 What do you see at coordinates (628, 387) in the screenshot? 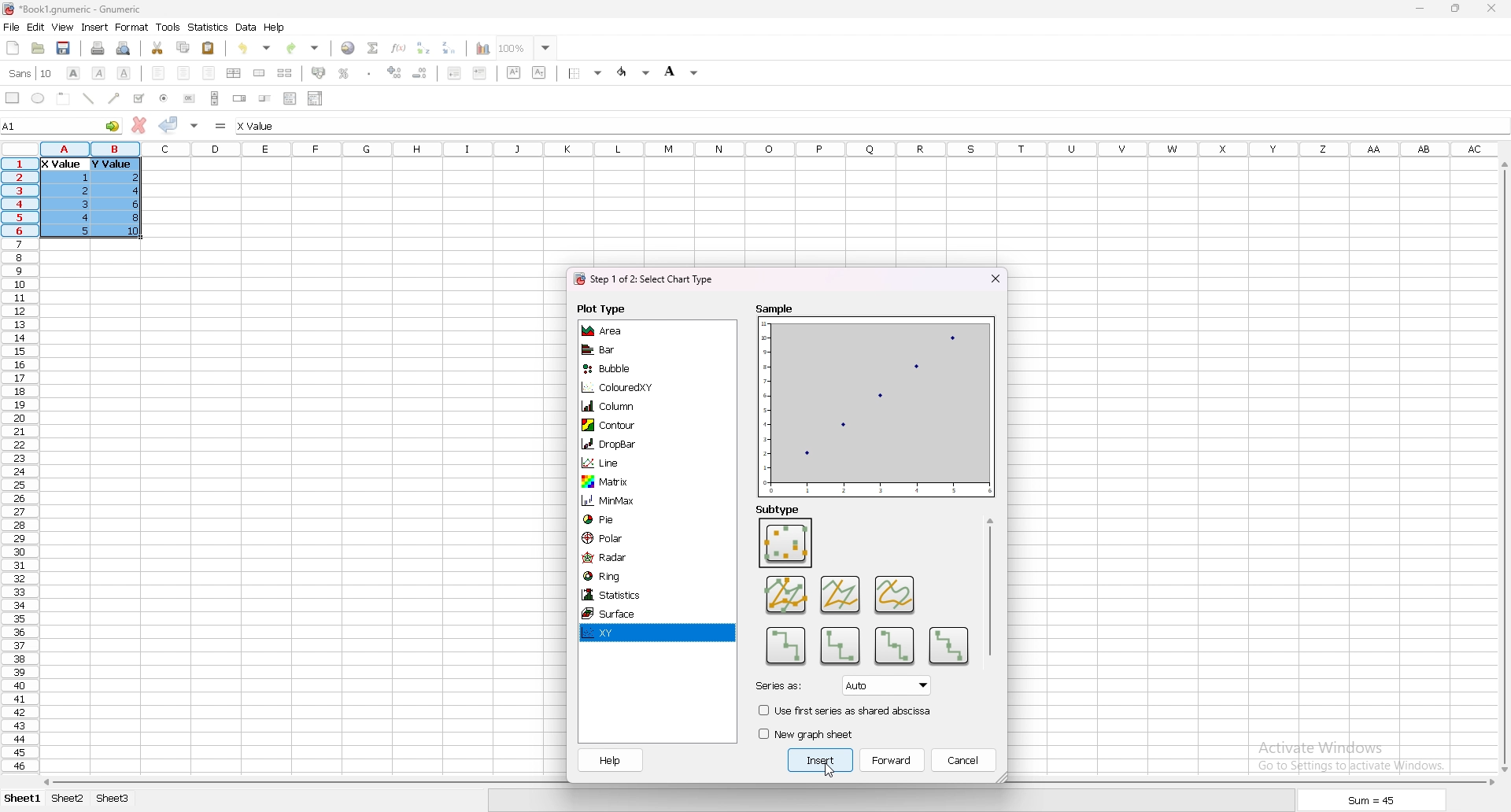
I see `coloured xy` at bounding box center [628, 387].